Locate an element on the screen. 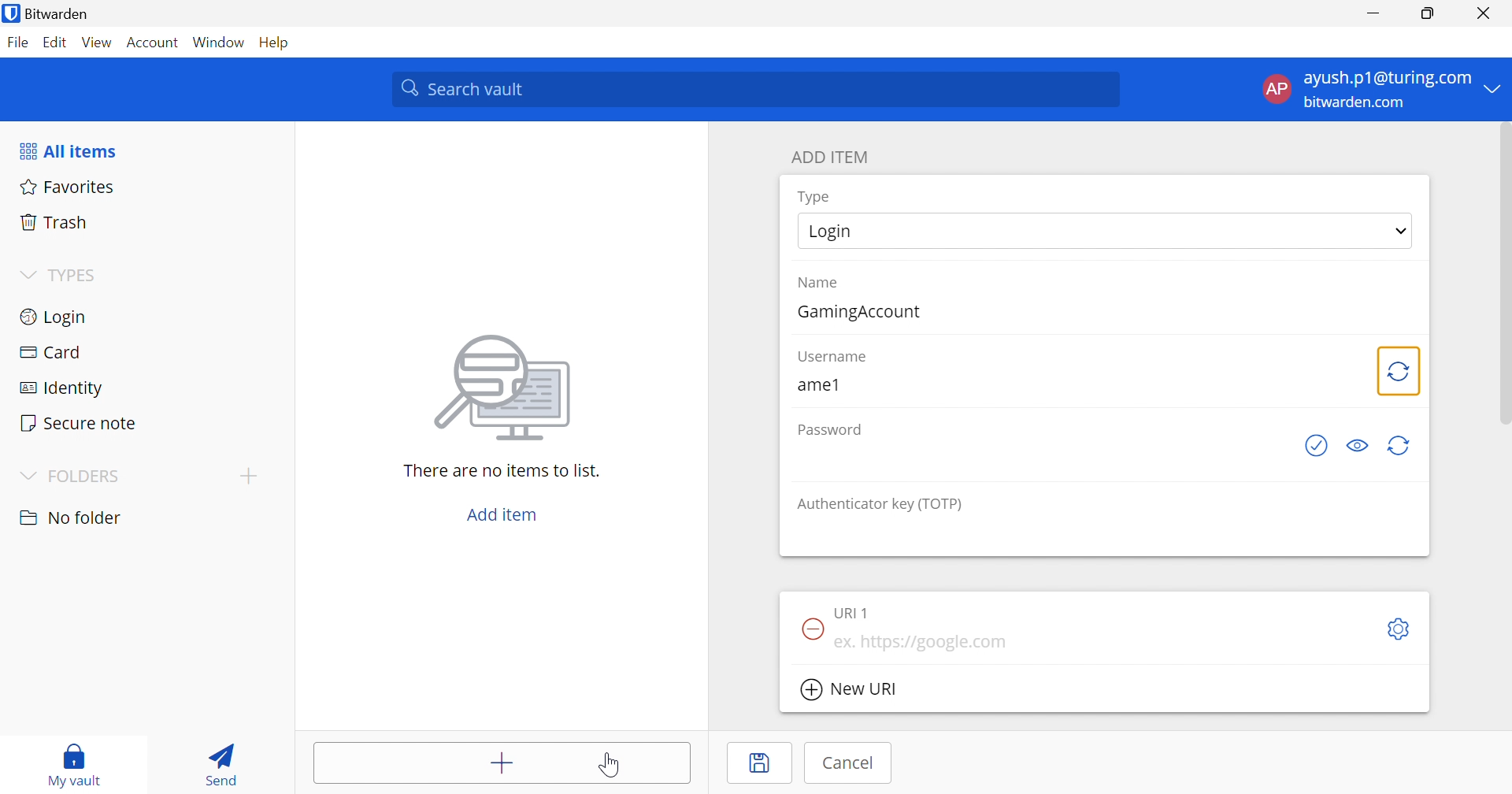 The image size is (1512, 794). Favorites is located at coordinates (68, 188).